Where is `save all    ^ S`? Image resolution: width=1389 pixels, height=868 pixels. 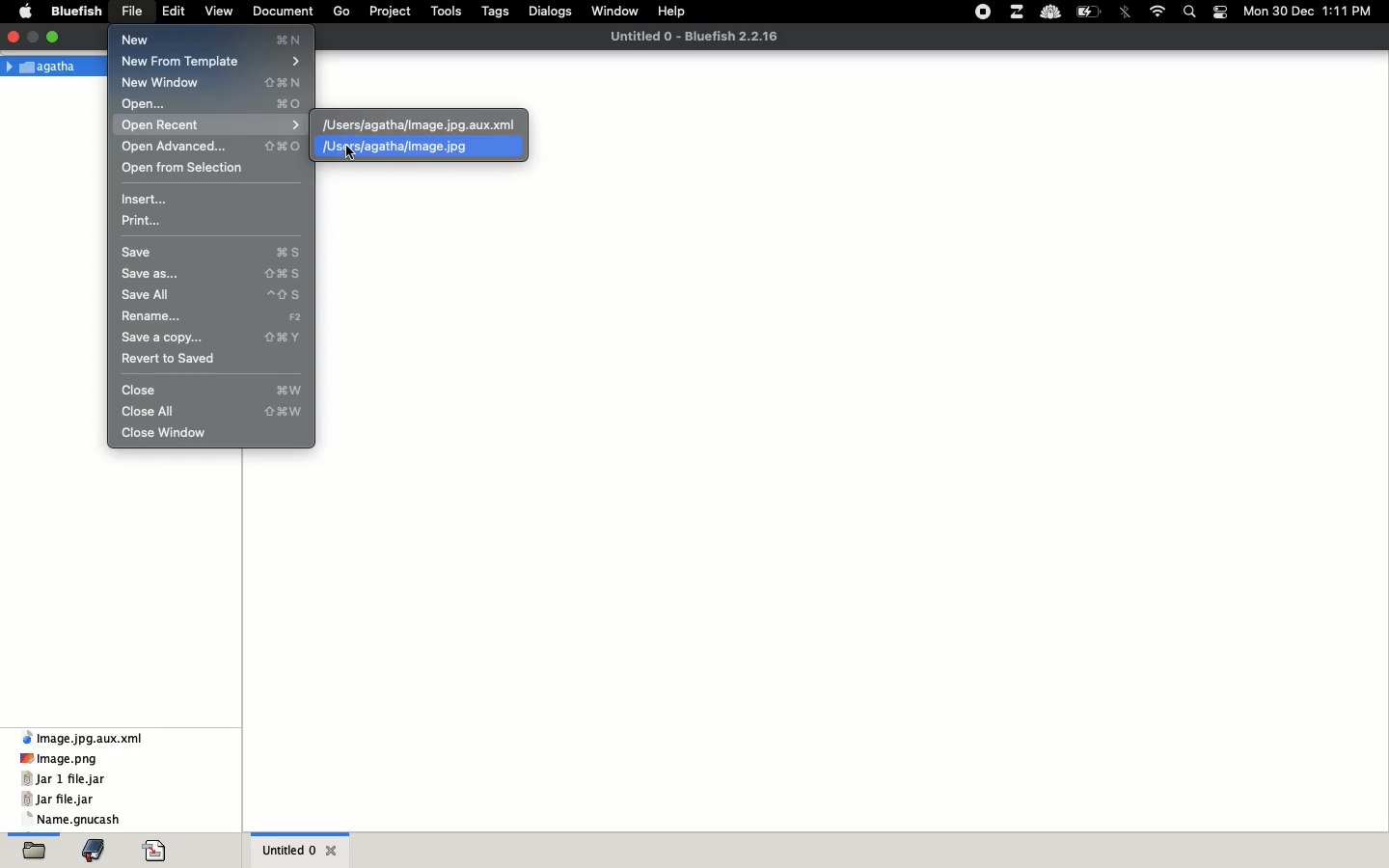 save all    ^ S is located at coordinates (211, 295).